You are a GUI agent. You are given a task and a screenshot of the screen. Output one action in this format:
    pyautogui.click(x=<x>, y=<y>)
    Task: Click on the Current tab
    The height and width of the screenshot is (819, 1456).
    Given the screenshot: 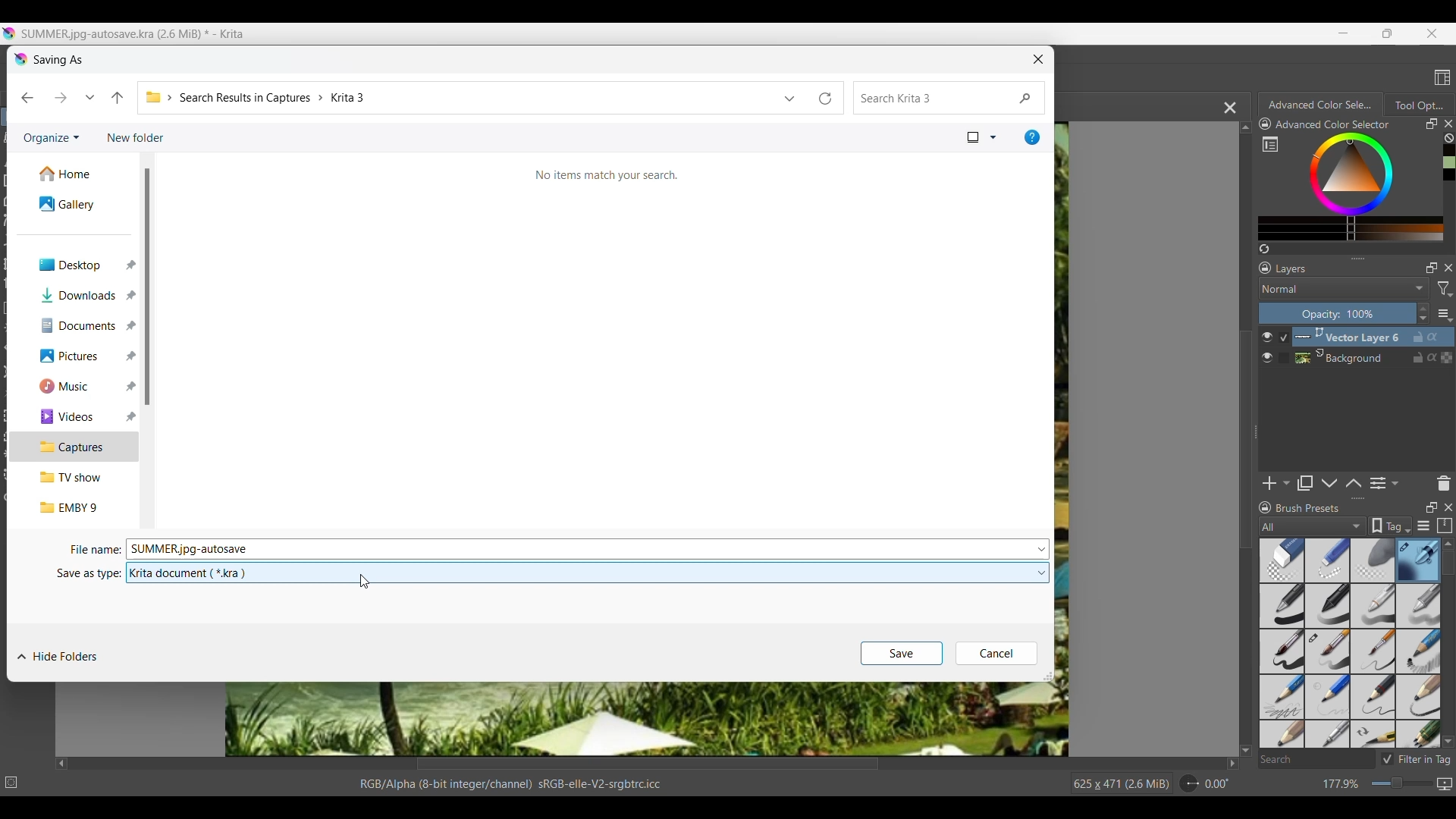 What is the action you would take?
    pyautogui.click(x=1317, y=104)
    